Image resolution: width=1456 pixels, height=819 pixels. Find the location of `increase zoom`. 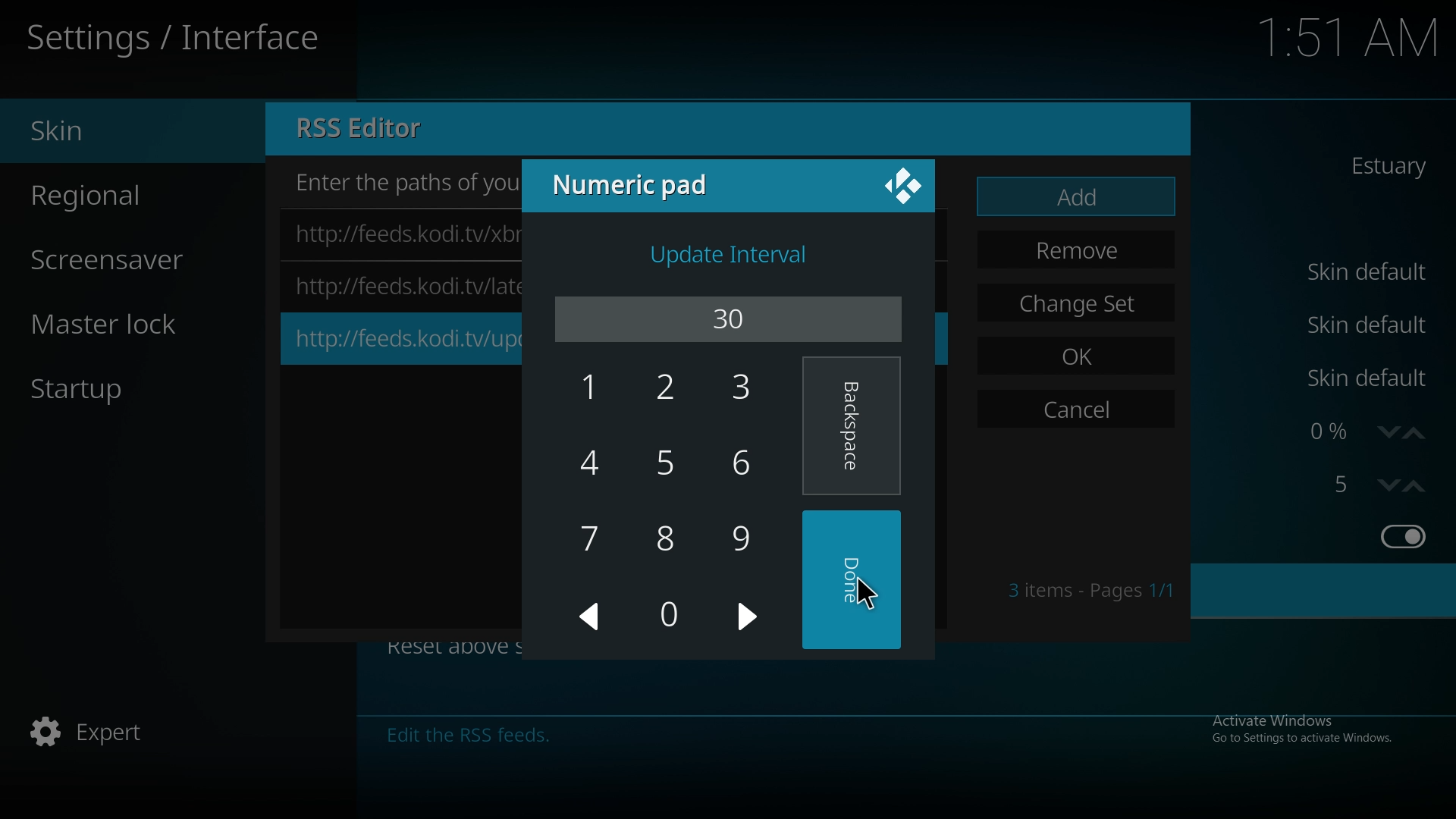

increase zoom is located at coordinates (1416, 433).